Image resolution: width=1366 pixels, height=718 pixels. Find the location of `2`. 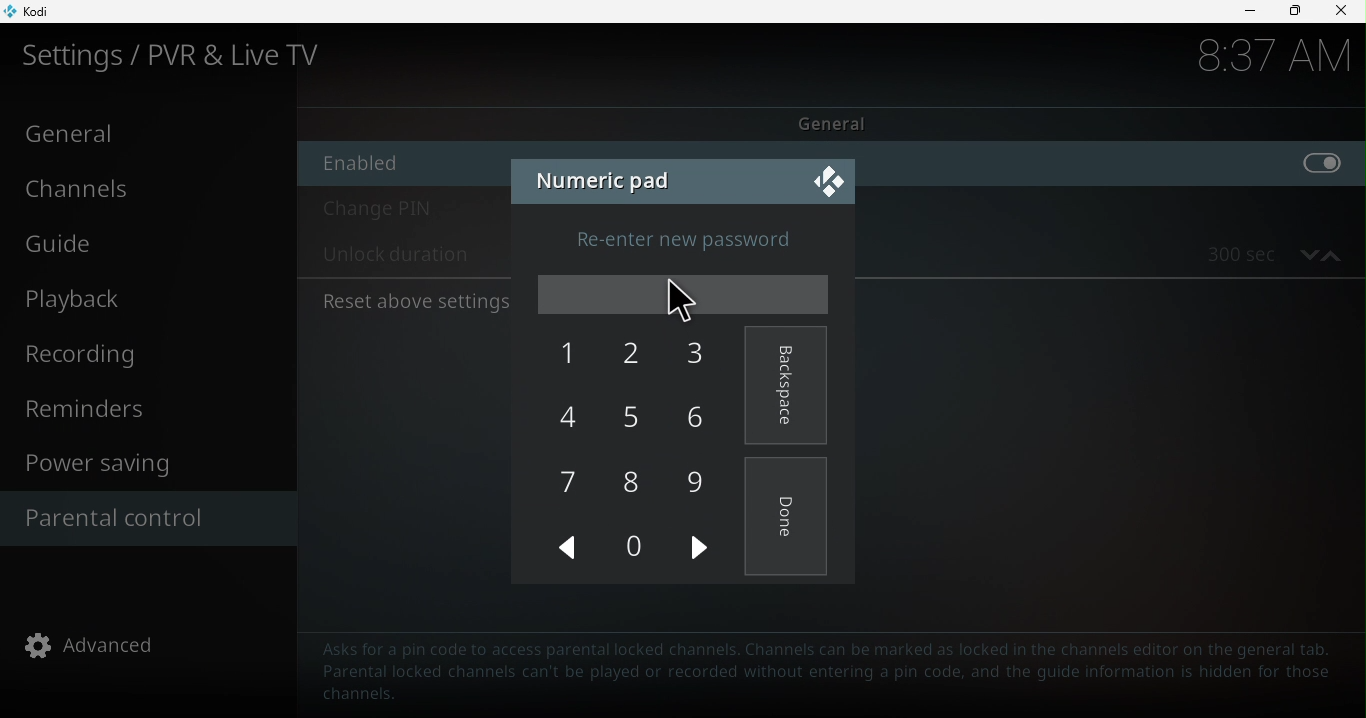

2 is located at coordinates (636, 352).